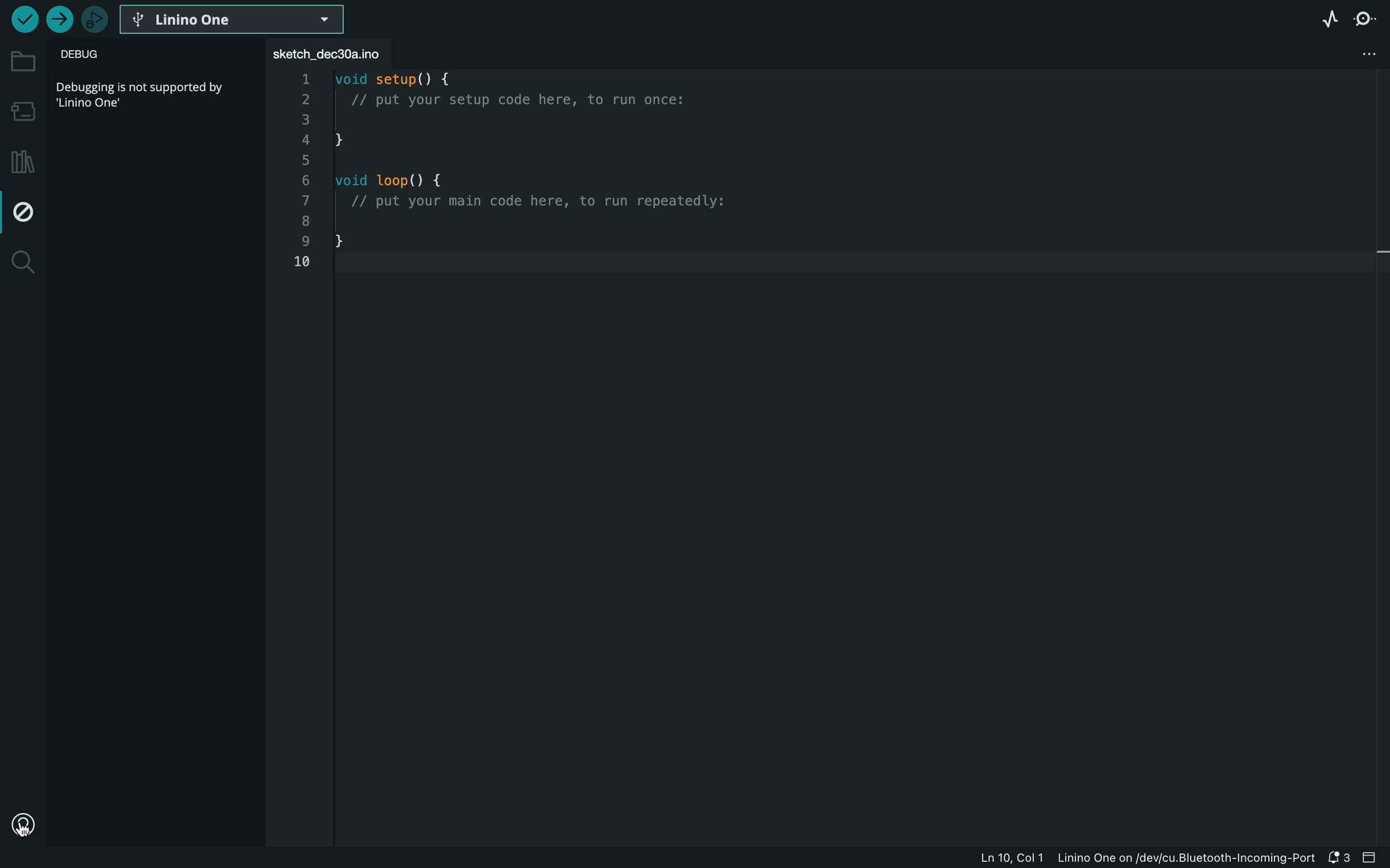 The height and width of the screenshot is (868, 1390). I want to click on library manager, so click(24, 156).